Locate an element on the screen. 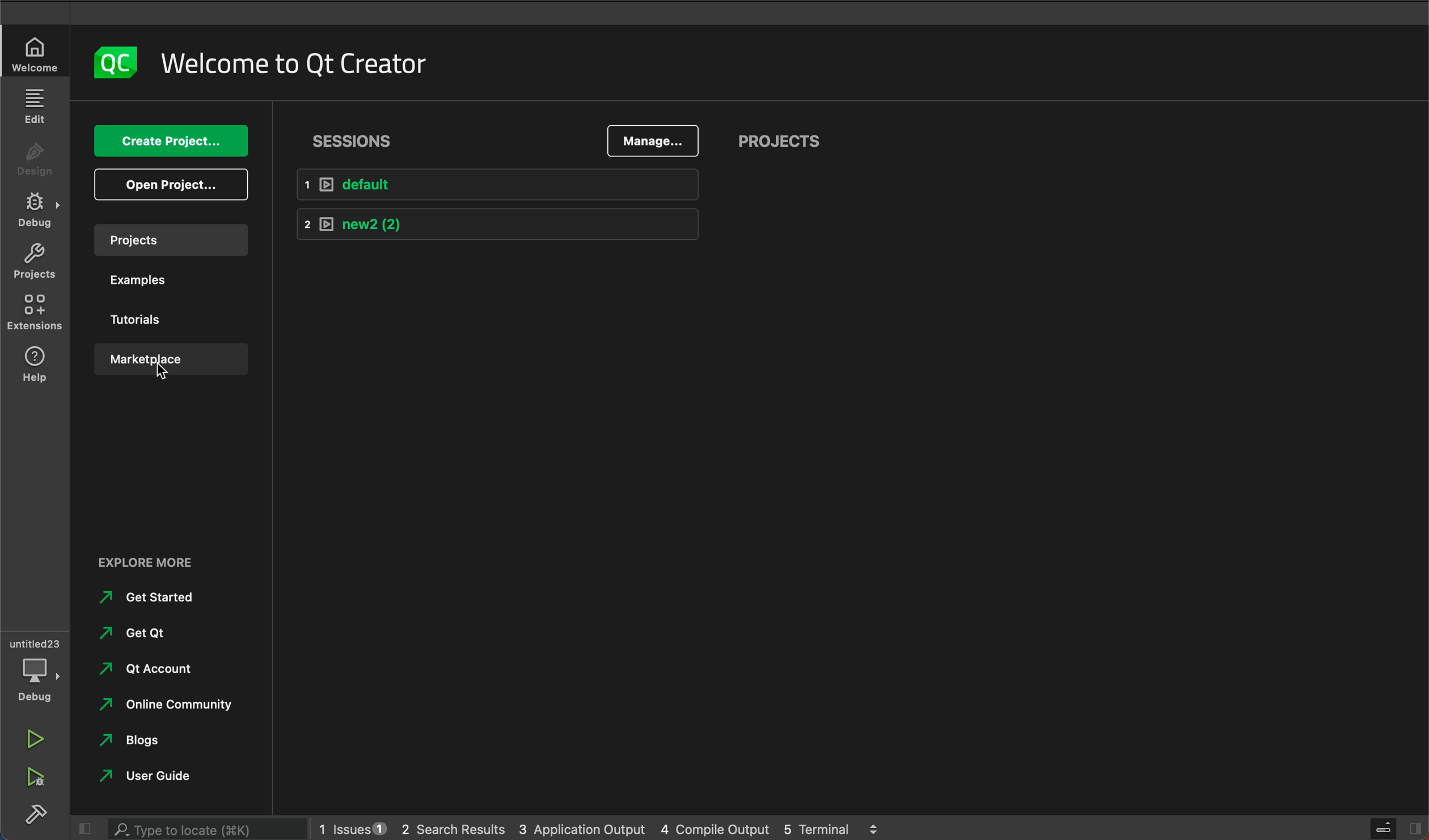 This screenshot has width=1429, height=840. logo is located at coordinates (116, 61).